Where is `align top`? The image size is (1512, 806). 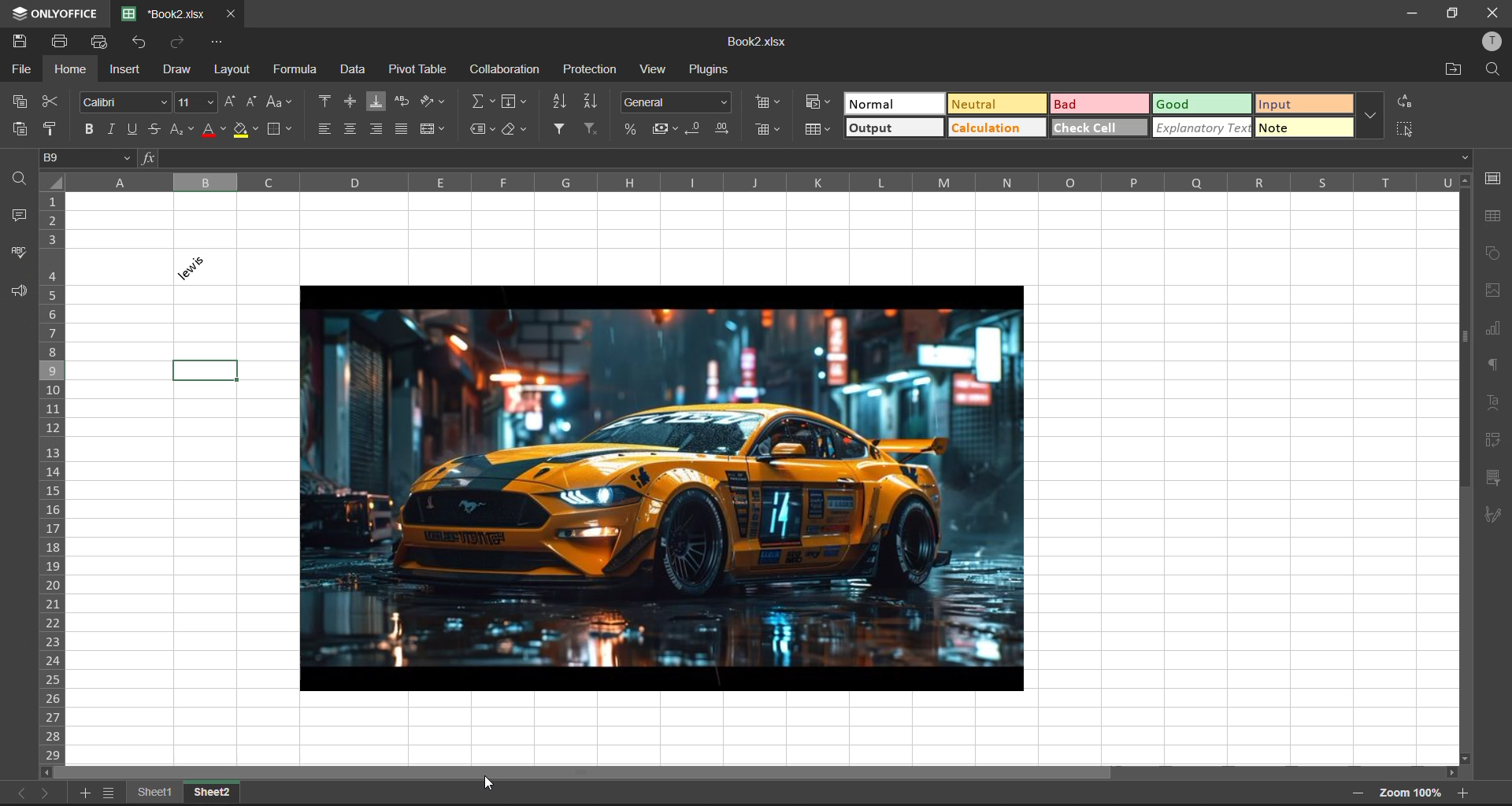 align top is located at coordinates (324, 100).